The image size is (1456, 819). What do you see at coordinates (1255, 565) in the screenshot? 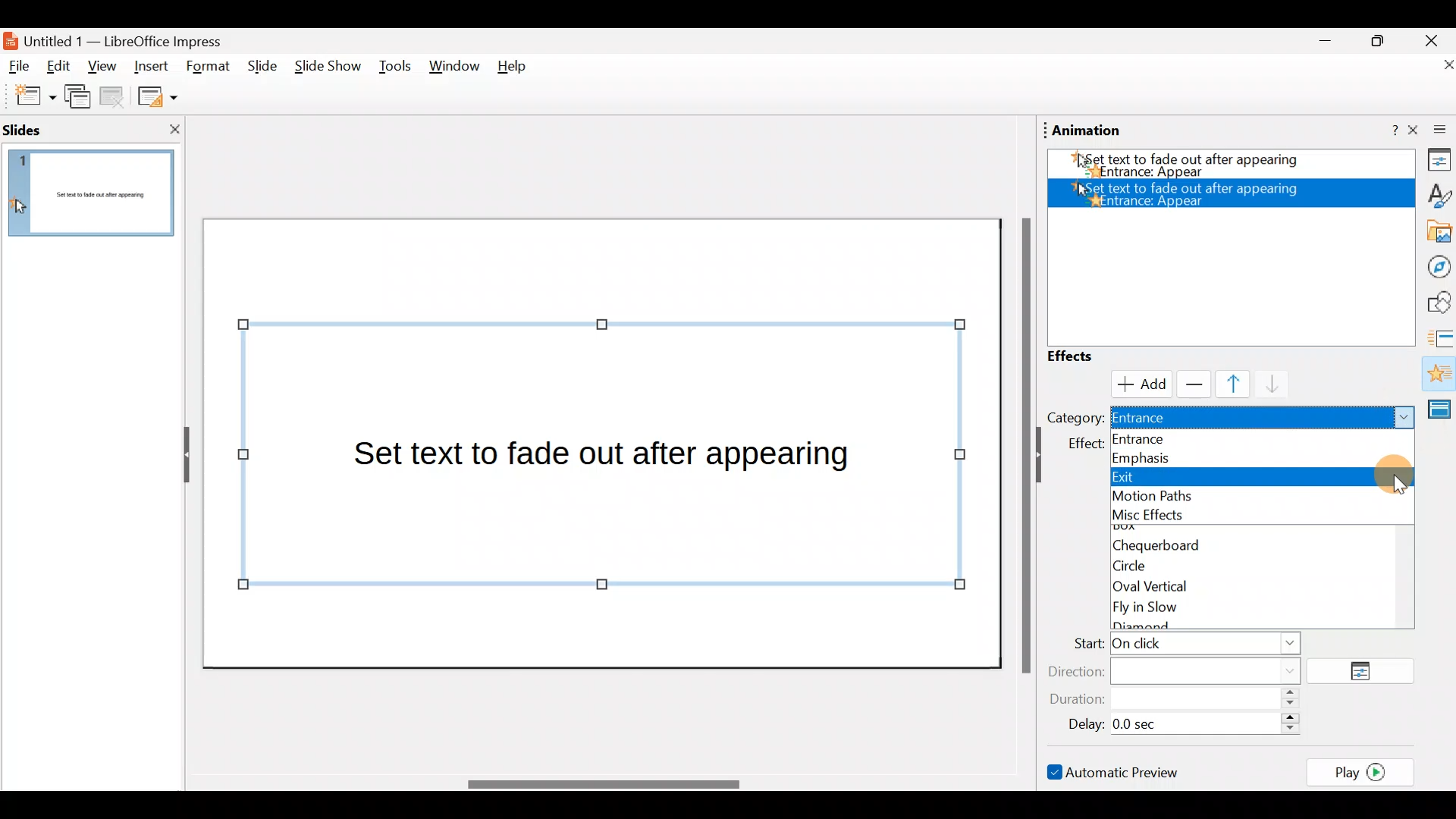
I see `Circle` at bounding box center [1255, 565].